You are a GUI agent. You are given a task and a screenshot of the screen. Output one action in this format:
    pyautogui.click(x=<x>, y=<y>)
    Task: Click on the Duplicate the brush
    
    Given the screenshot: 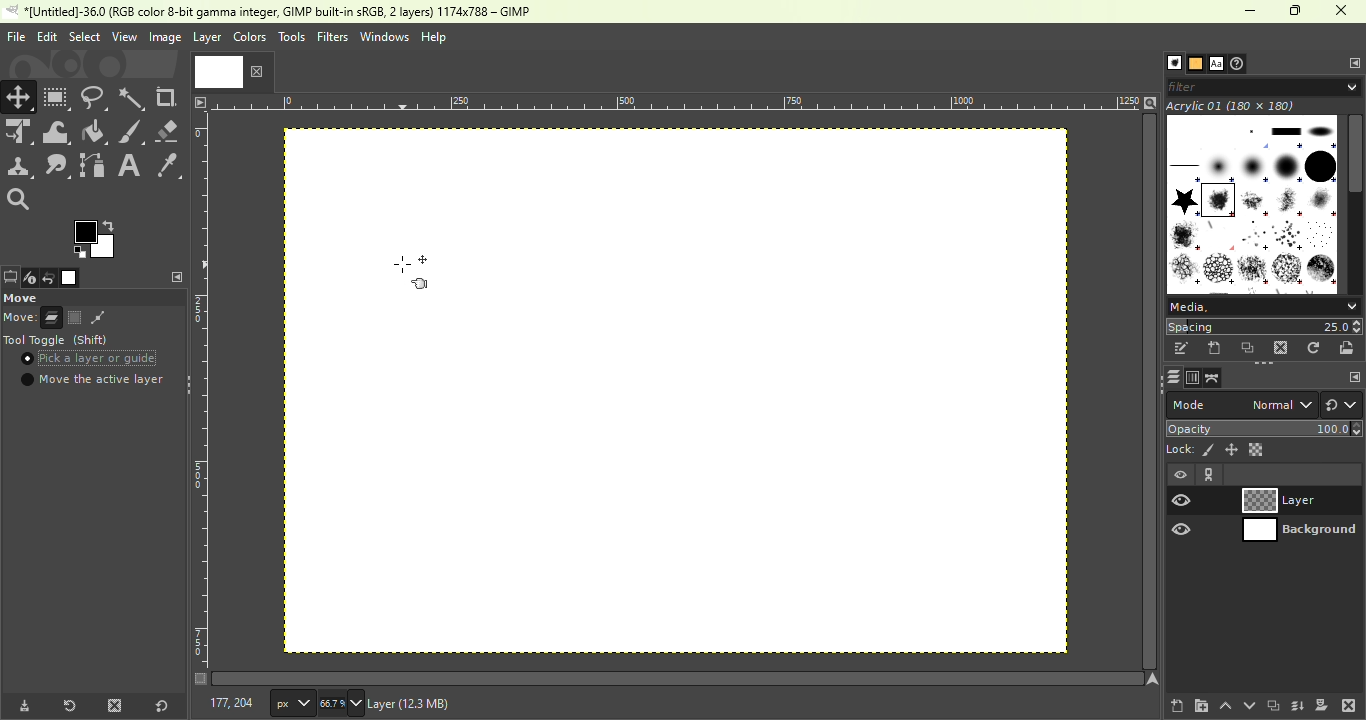 What is the action you would take?
    pyautogui.click(x=1248, y=350)
    